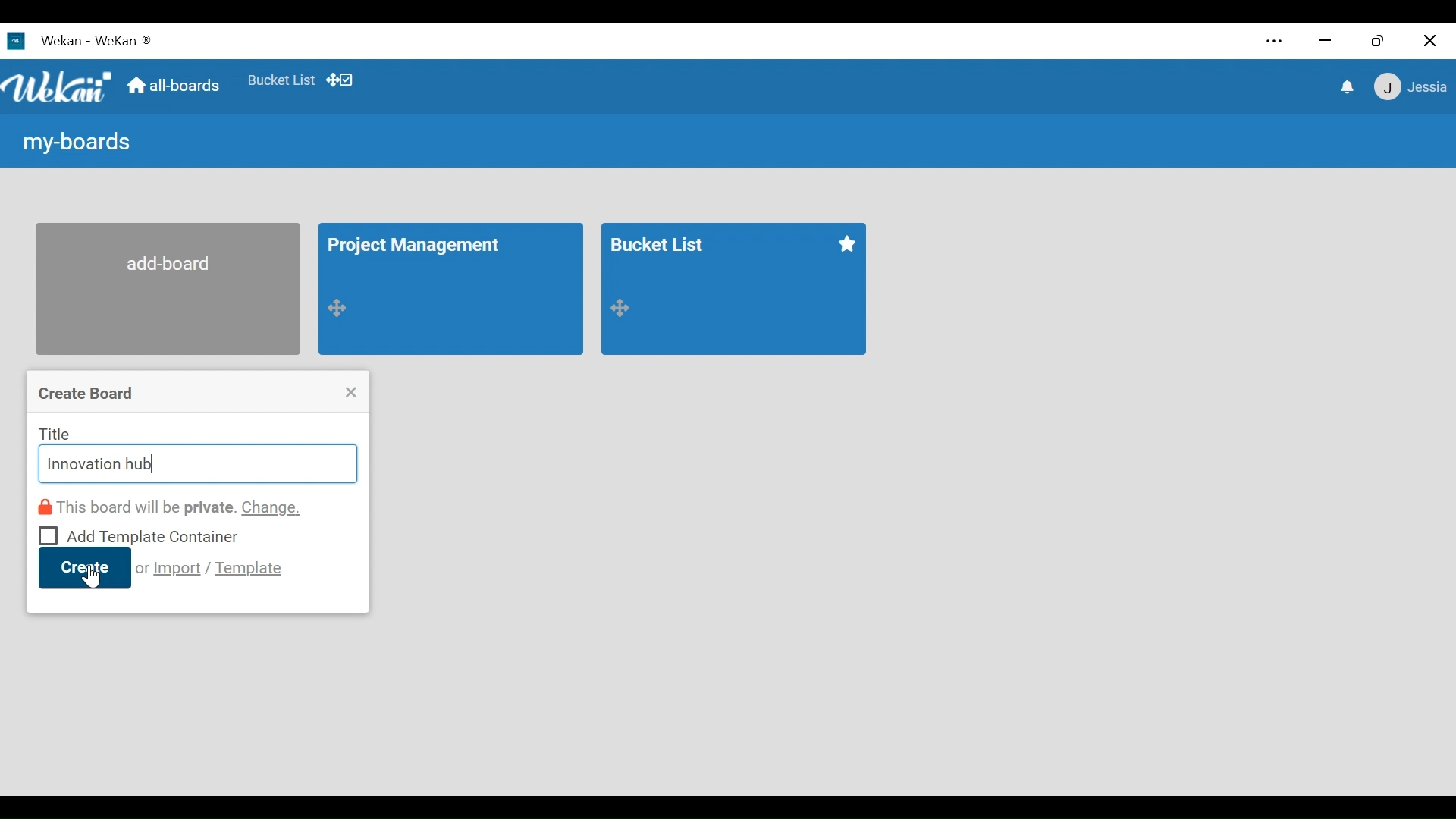  Describe the element at coordinates (168, 288) in the screenshot. I see `Add Board` at that location.